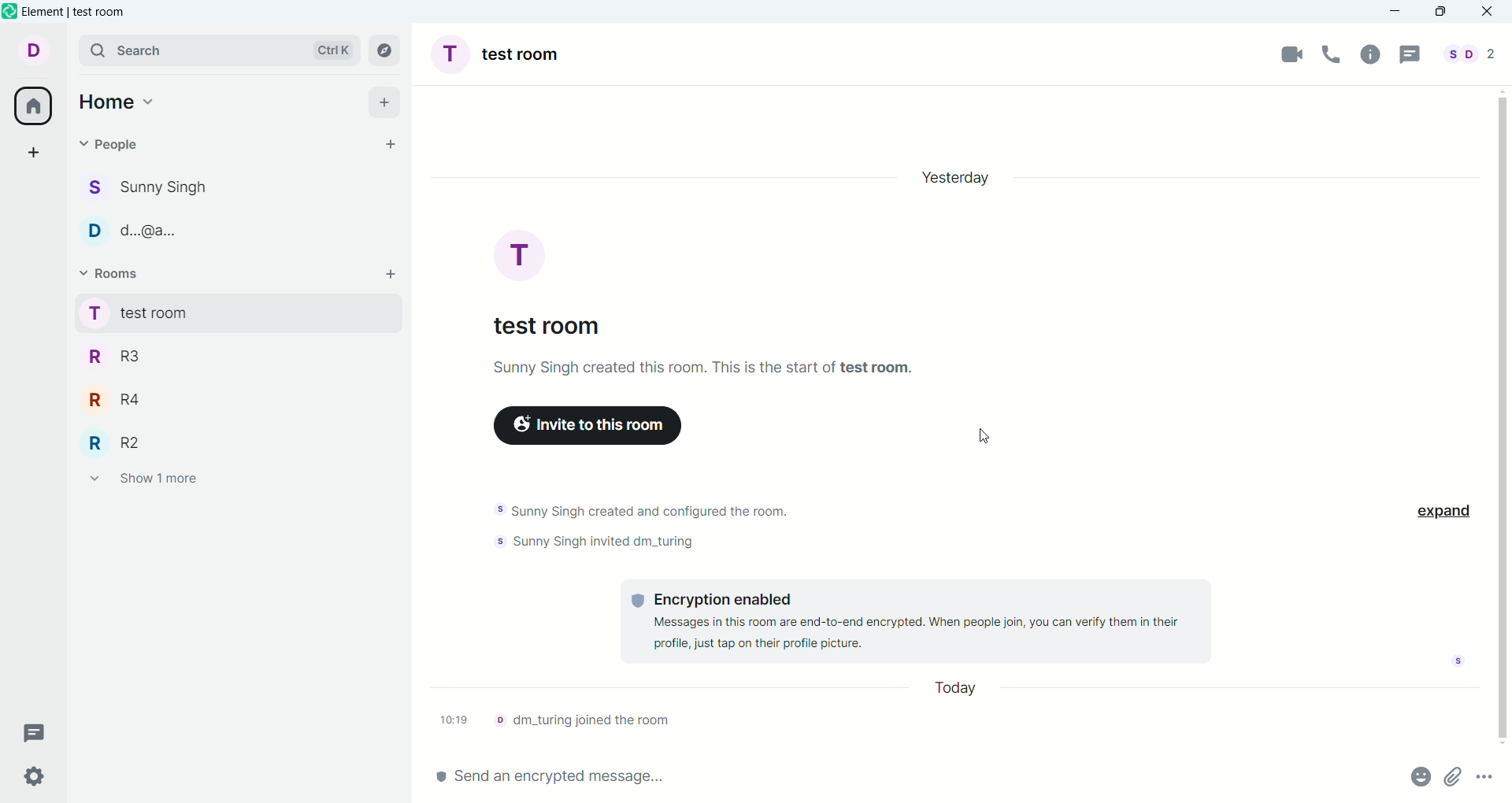 The height and width of the screenshot is (803, 1512). I want to click on search, so click(214, 47).